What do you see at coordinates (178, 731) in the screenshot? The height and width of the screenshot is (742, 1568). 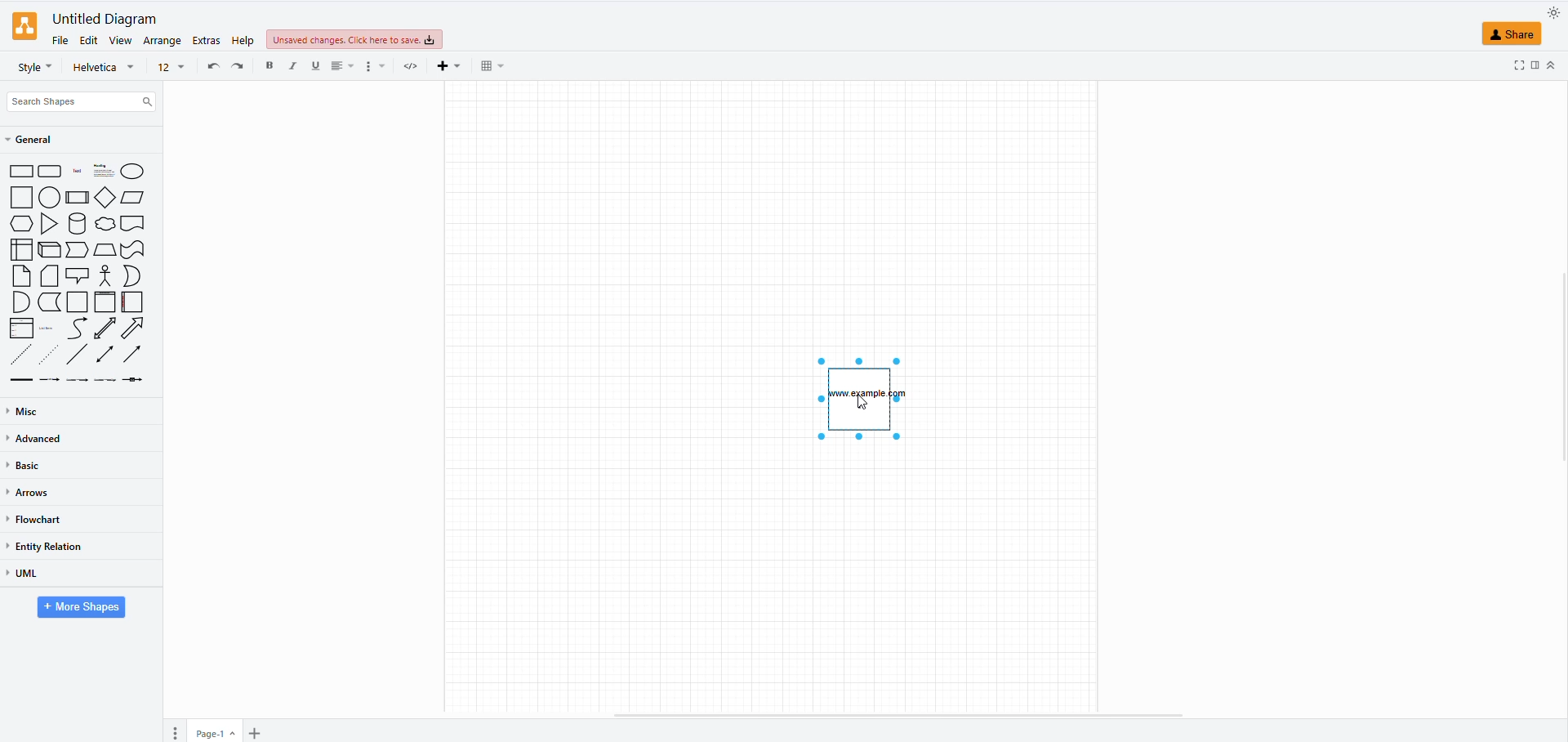 I see `pages` at bounding box center [178, 731].